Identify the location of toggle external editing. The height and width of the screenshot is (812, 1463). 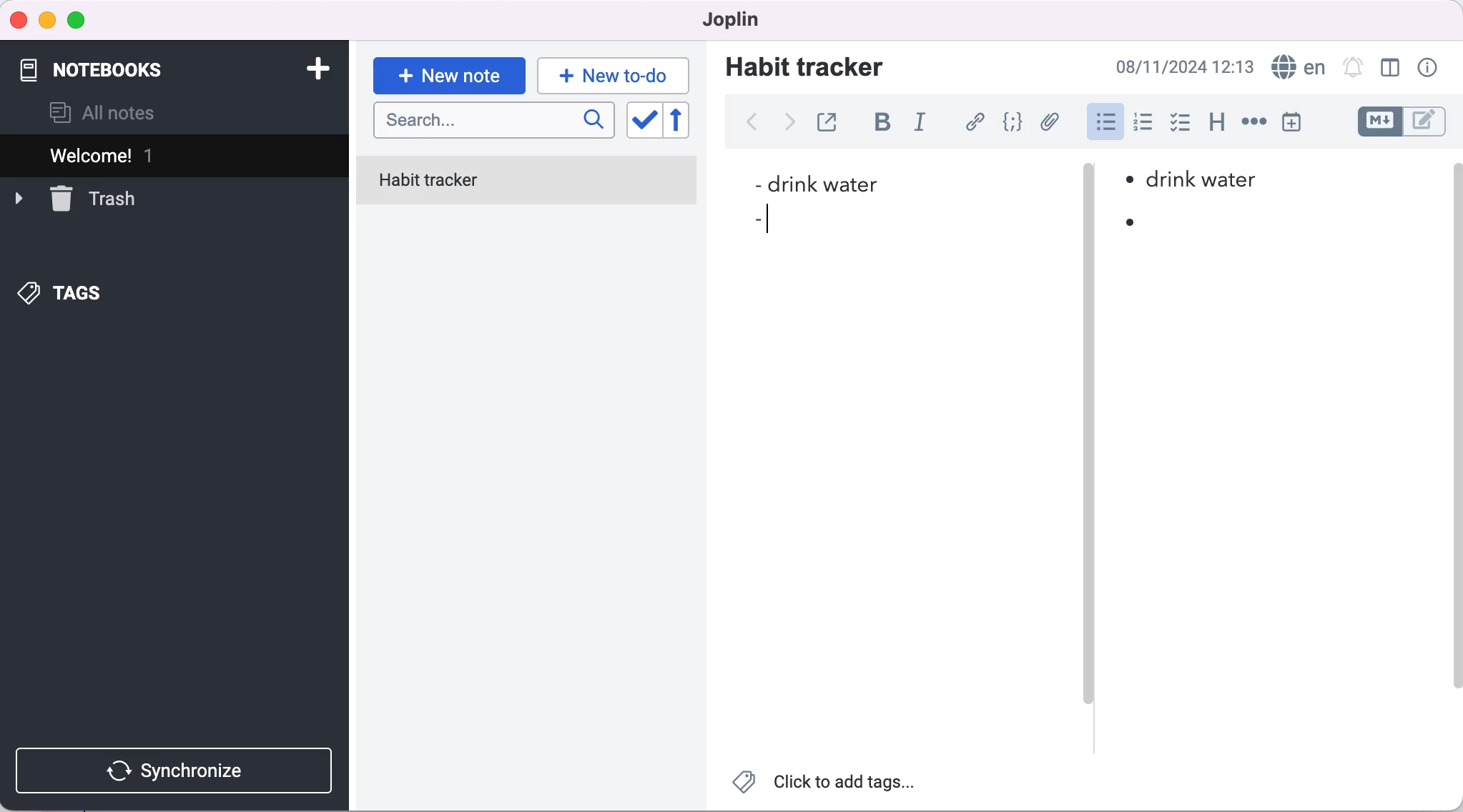
(831, 120).